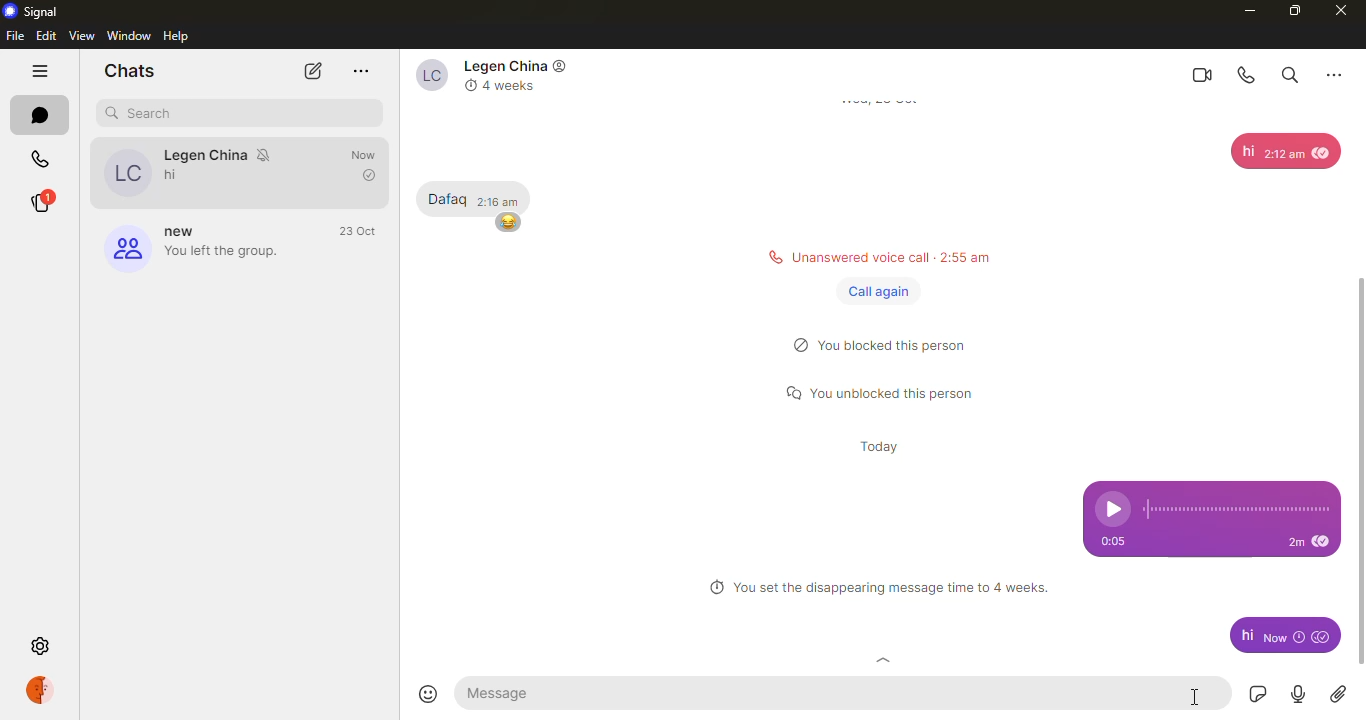 Image resolution: width=1366 pixels, height=720 pixels. What do you see at coordinates (43, 647) in the screenshot?
I see `settings` at bounding box center [43, 647].